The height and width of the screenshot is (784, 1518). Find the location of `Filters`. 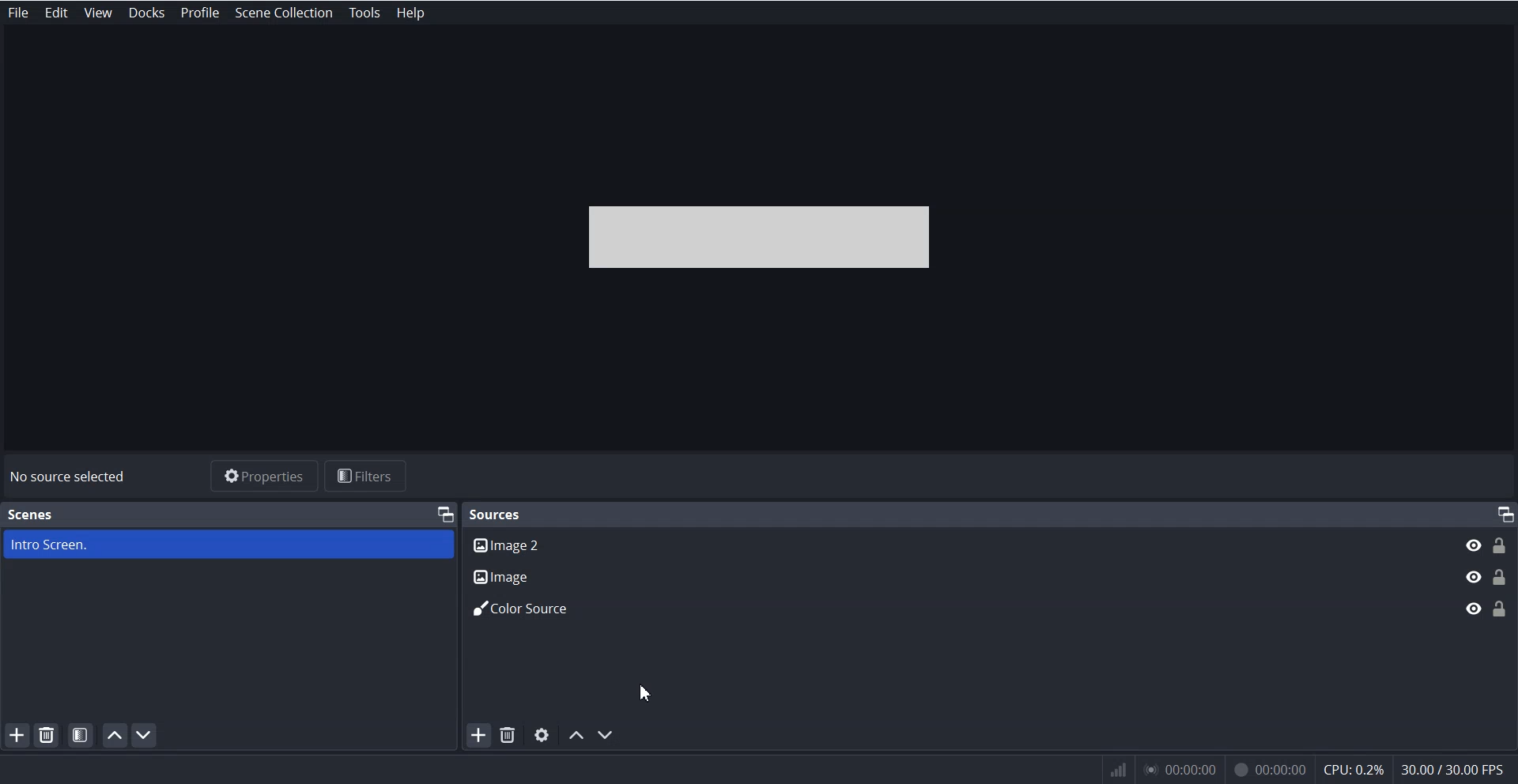

Filters is located at coordinates (368, 476).